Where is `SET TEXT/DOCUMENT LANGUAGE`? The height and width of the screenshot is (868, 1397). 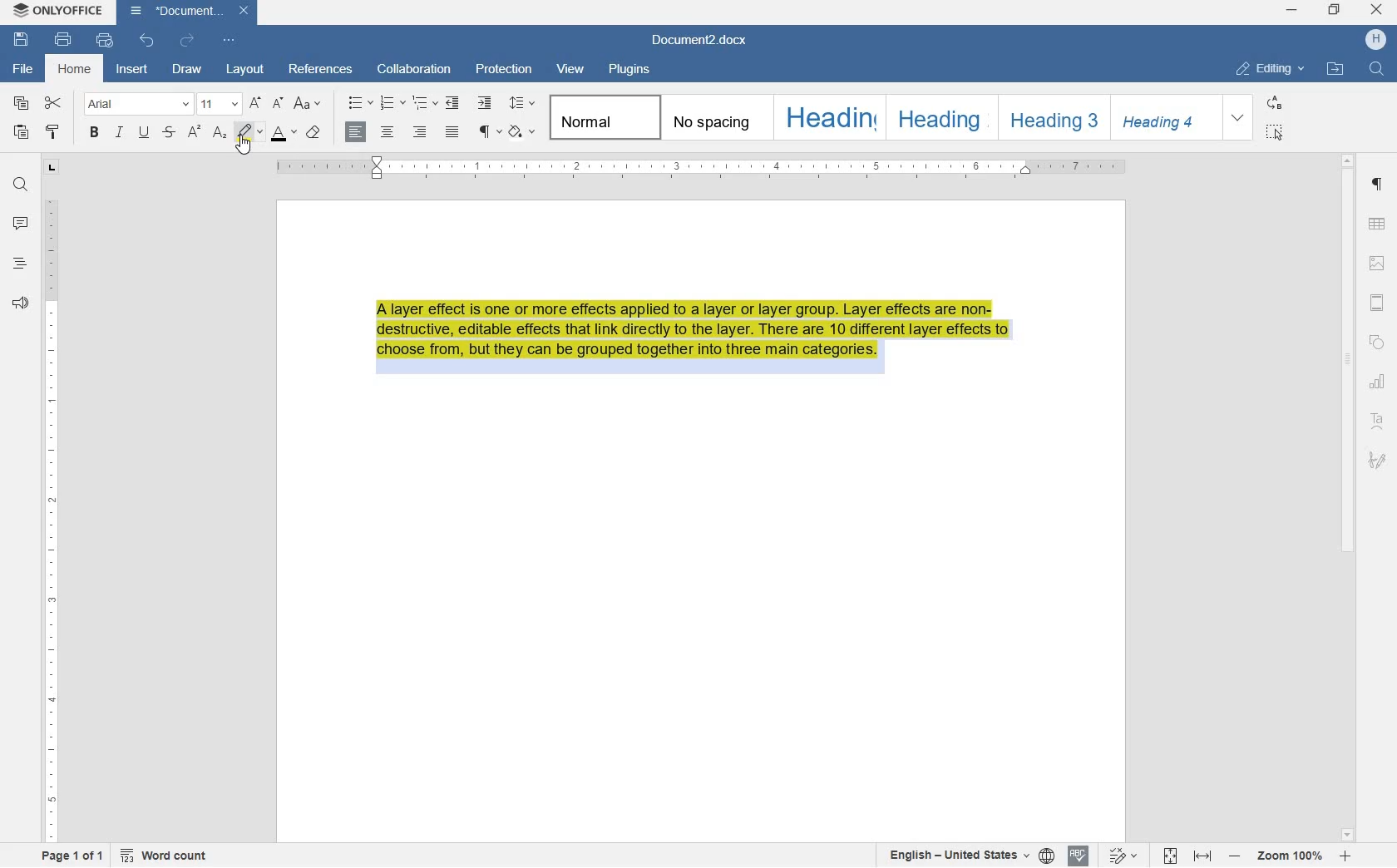
SET TEXT/DOCUMENT LANGUAGE is located at coordinates (967, 856).